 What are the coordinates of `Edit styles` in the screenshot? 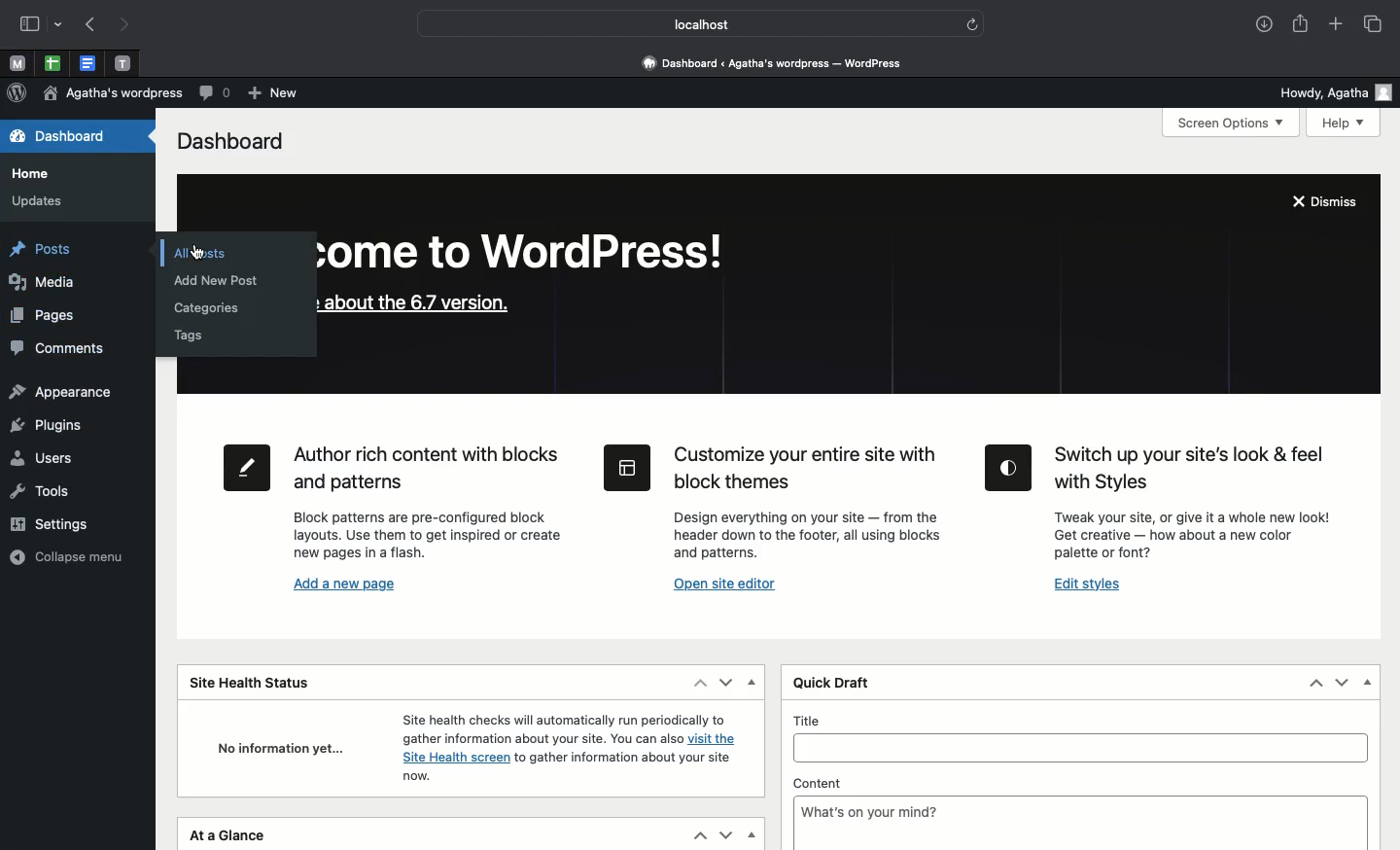 It's located at (1088, 585).